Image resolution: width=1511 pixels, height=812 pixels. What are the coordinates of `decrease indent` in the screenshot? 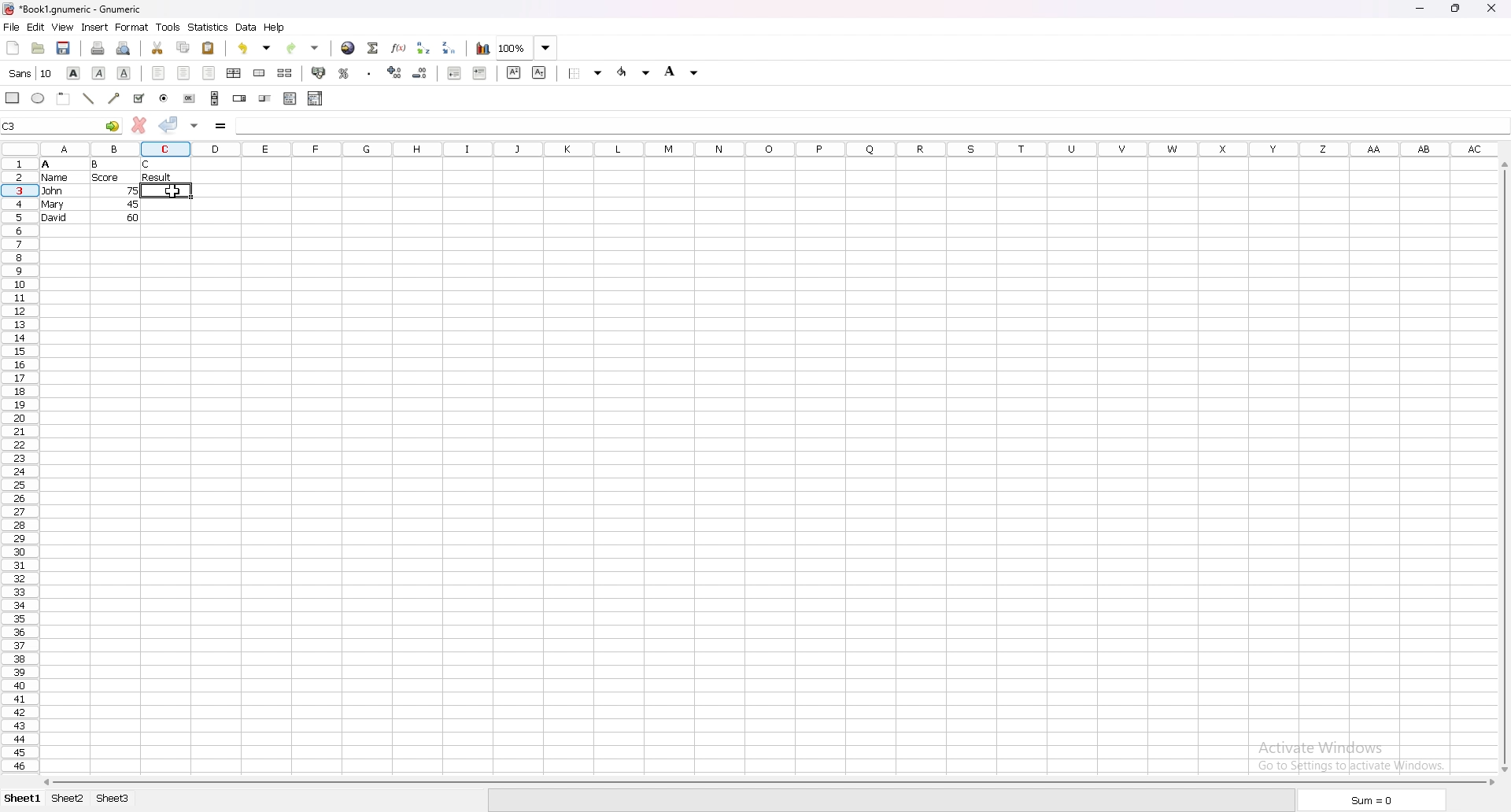 It's located at (454, 72).